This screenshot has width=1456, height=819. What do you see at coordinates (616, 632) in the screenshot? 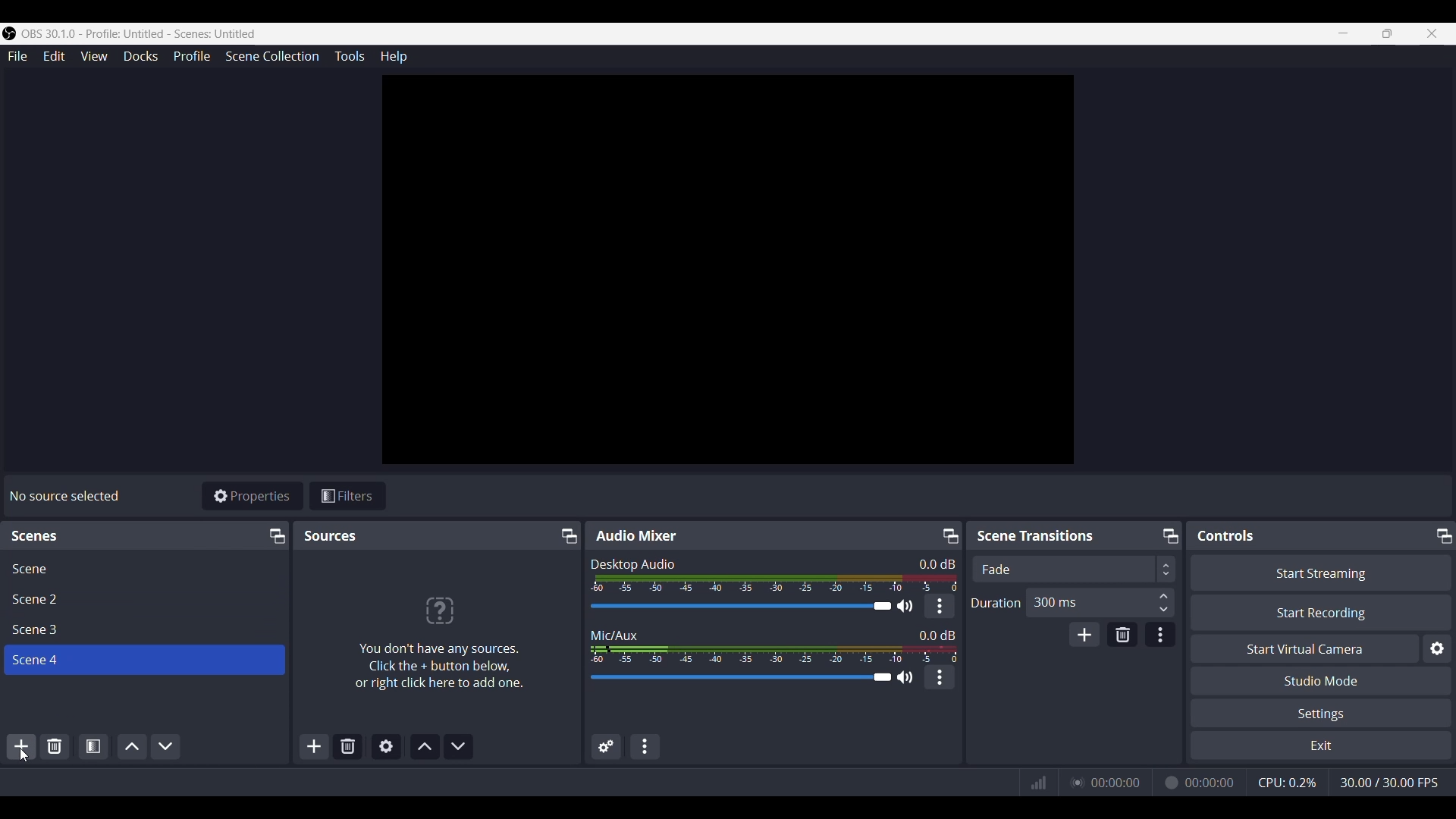
I see `Mic/Aux` at bounding box center [616, 632].